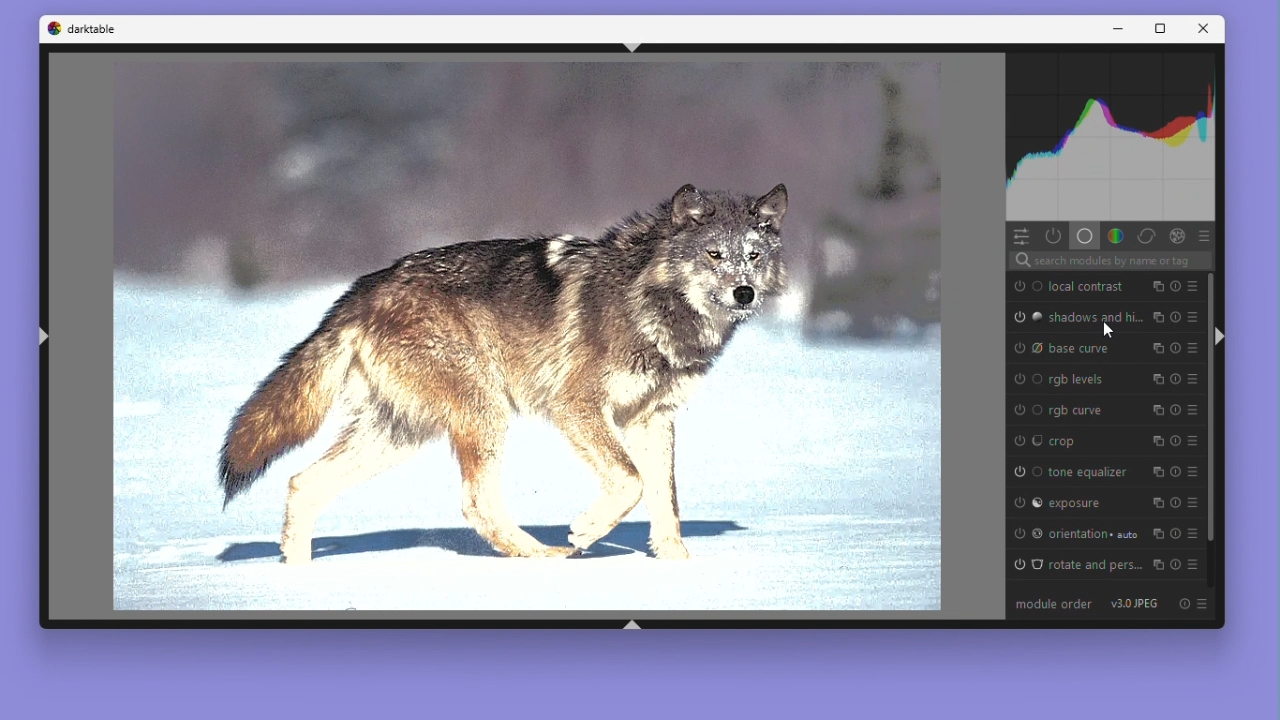 The height and width of the screenshot is (720, 1280). Describe the element at coordinates (1193, 534) in the screenshot. I see `presets` at that location.